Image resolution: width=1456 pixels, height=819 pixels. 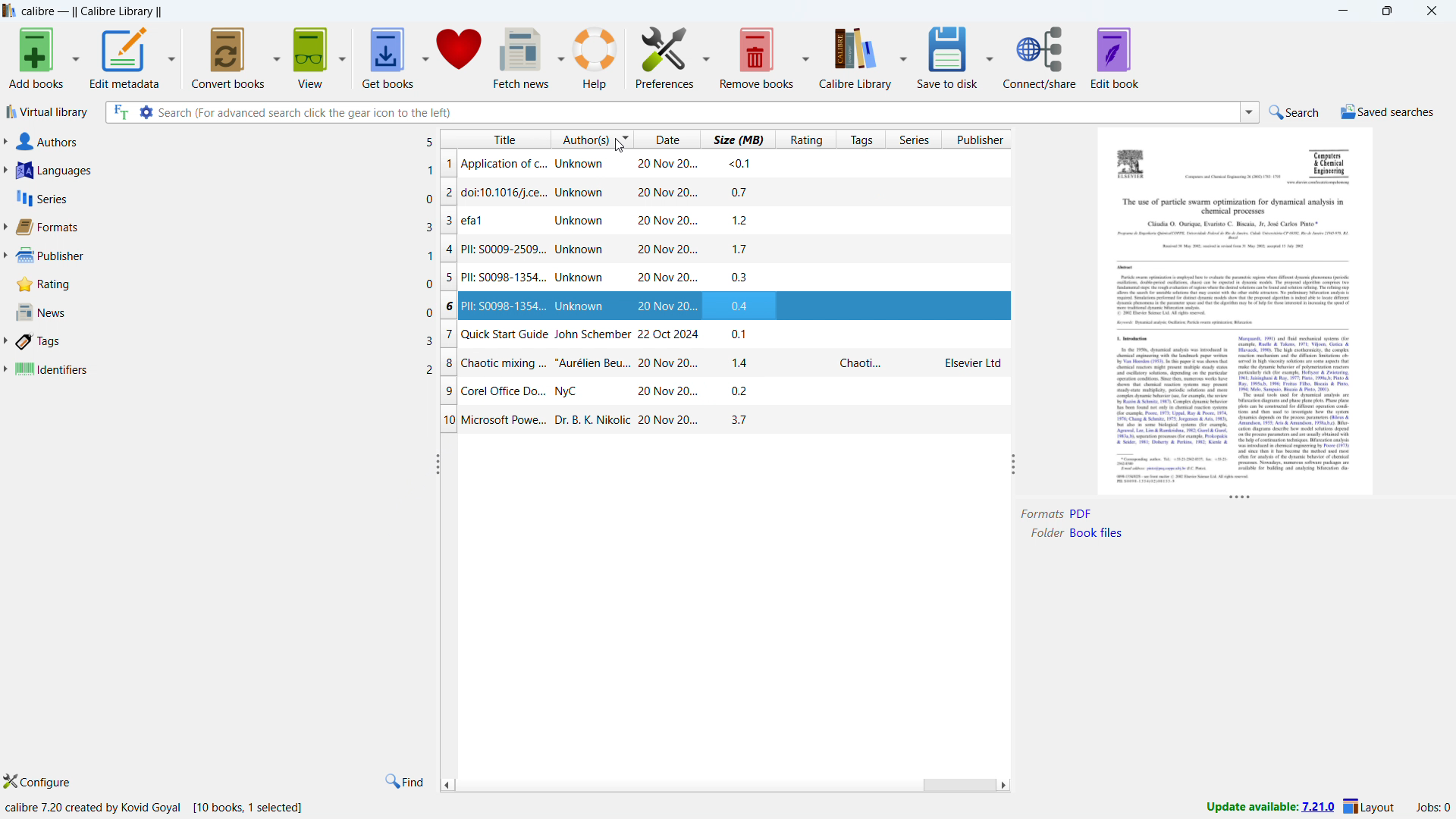 What do you see at coordinates (743, 361) in the screenshot?
I see `14` at bounding box center [743, 361].